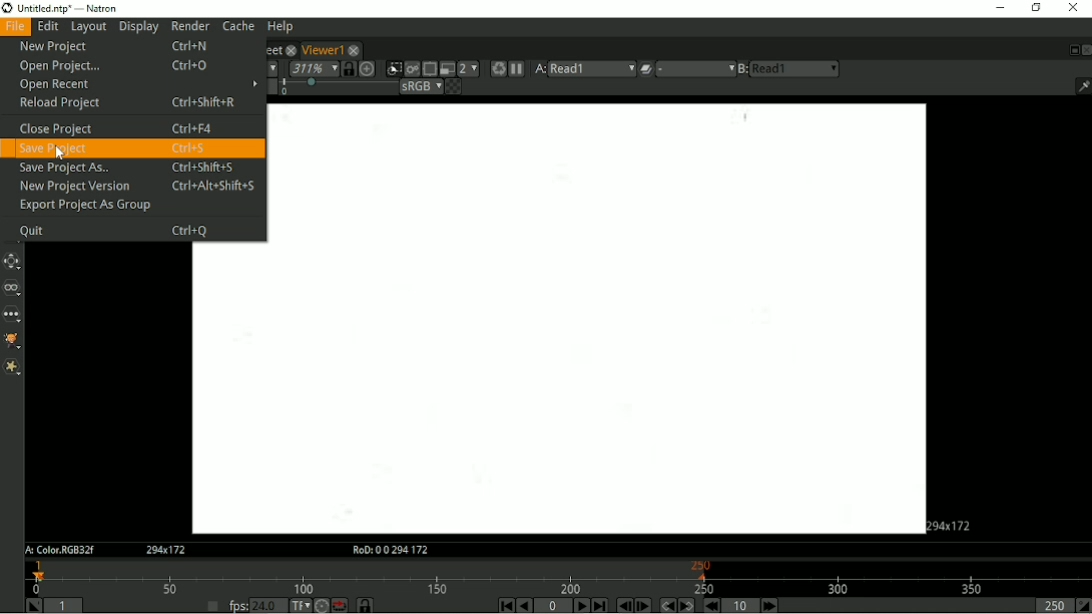 The height and width of the screenshot is (614, 1092). What do you see at coordinates (16, 26) in the screenshot?
I see `File` at bounding box center [16, 26].